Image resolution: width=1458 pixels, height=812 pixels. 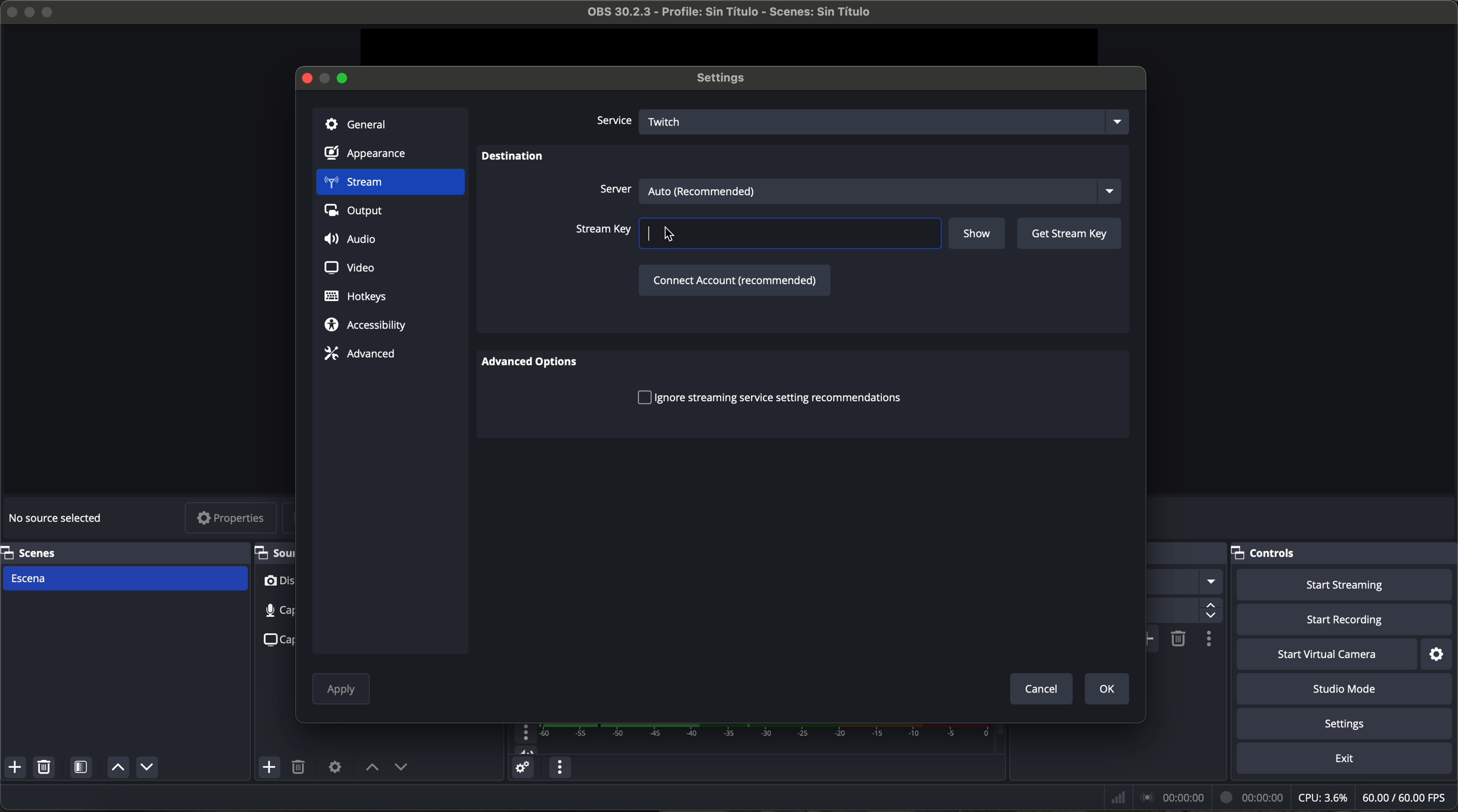 What do you see at coordinates (335, 766) in the screenshot?
I see `open source properties` at bounding box center [335, 766].